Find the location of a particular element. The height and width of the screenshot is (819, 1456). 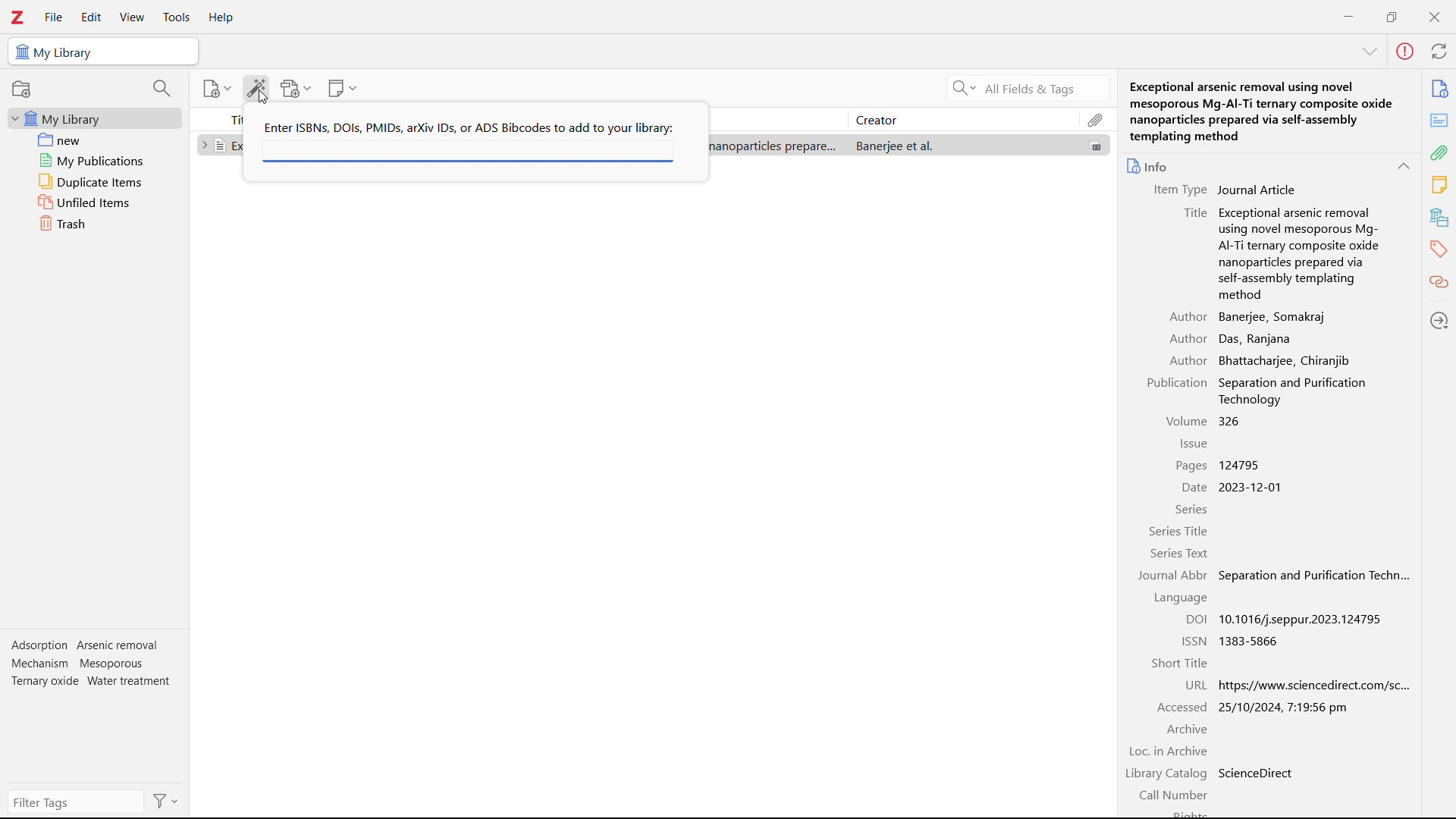

trash is located at coordinates (96, 223).